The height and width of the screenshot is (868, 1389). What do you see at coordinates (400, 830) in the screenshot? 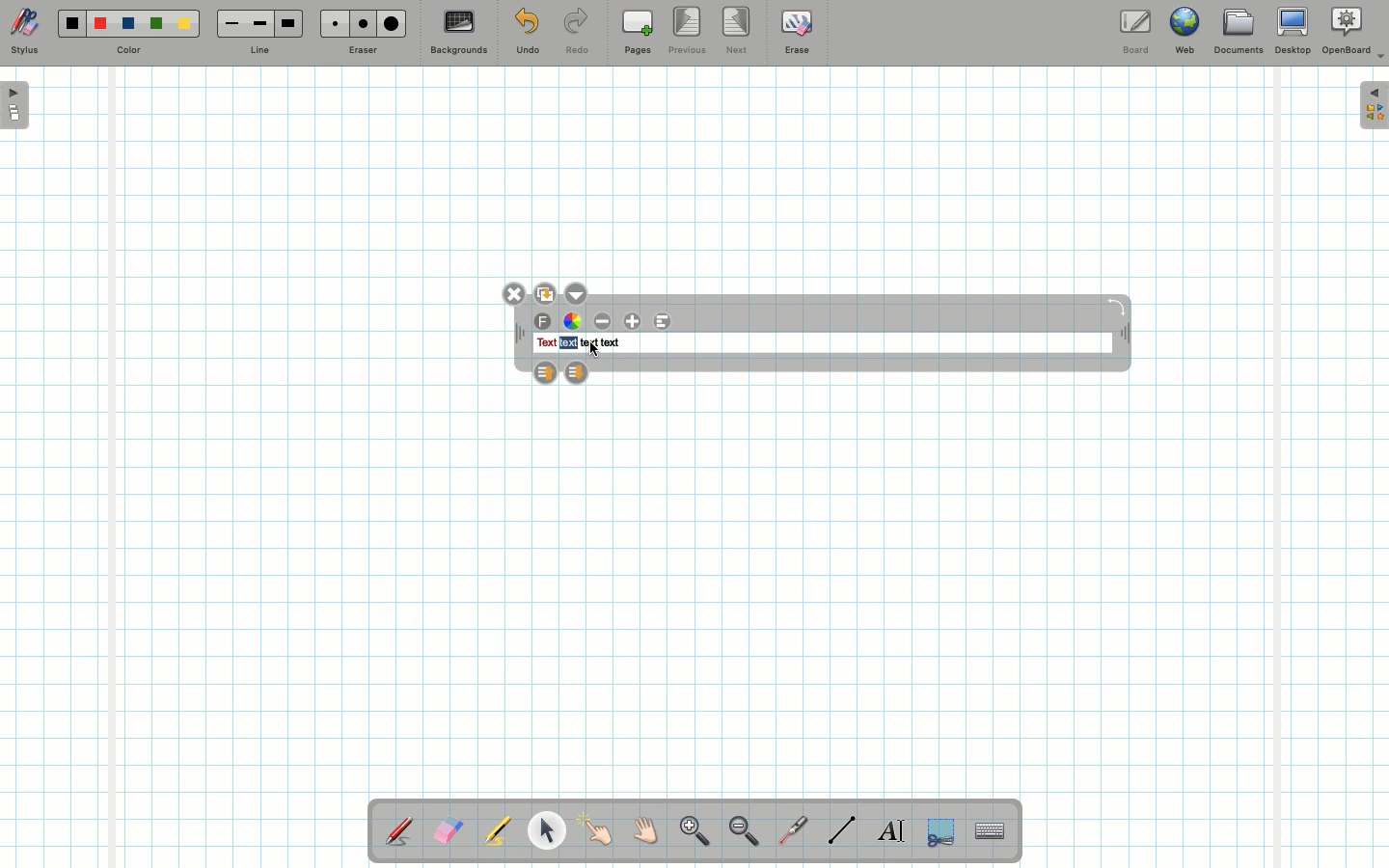
I see `Stylus` at bounding box center [400, 830].